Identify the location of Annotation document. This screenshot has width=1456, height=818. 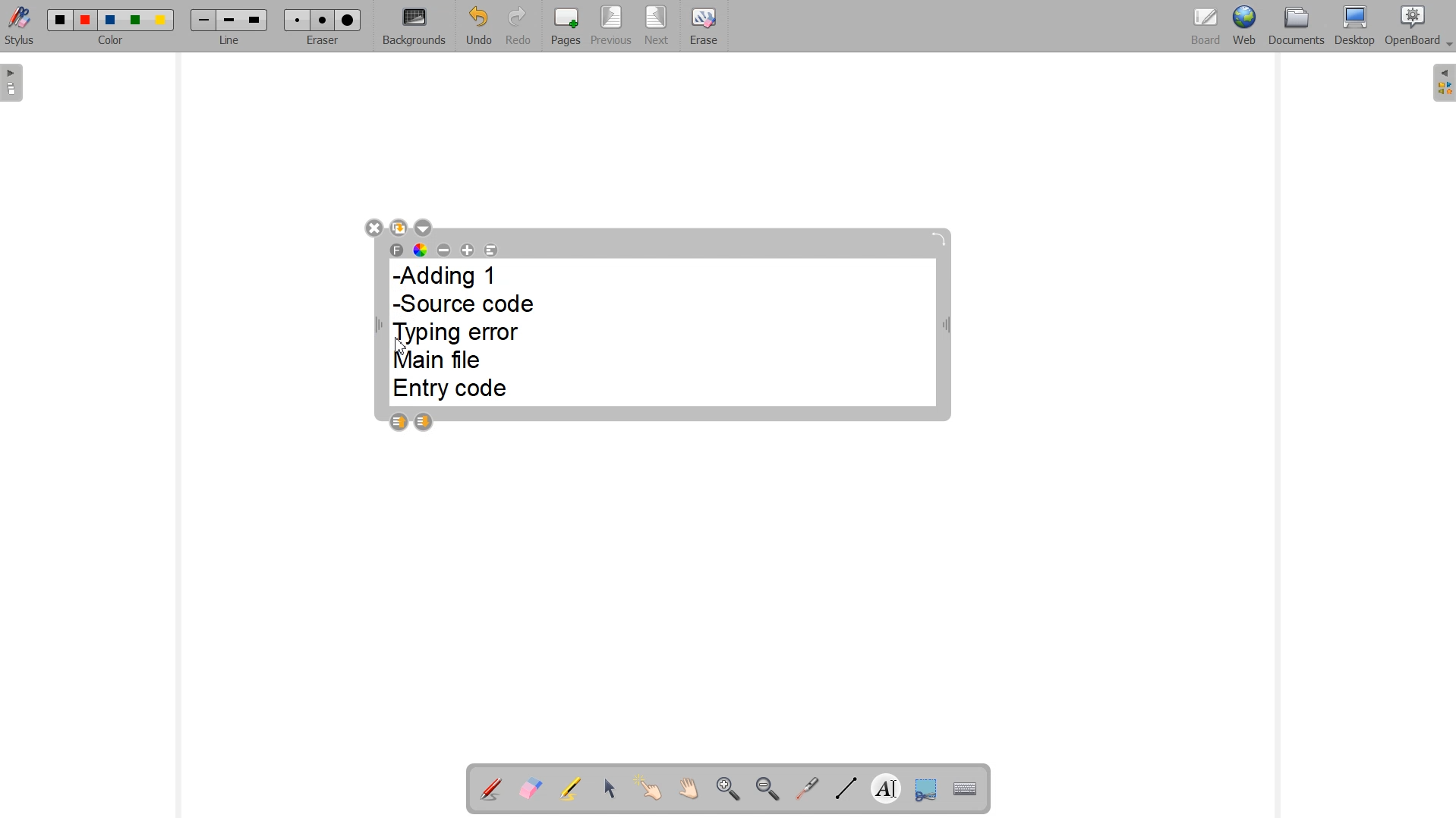
(490, 787).